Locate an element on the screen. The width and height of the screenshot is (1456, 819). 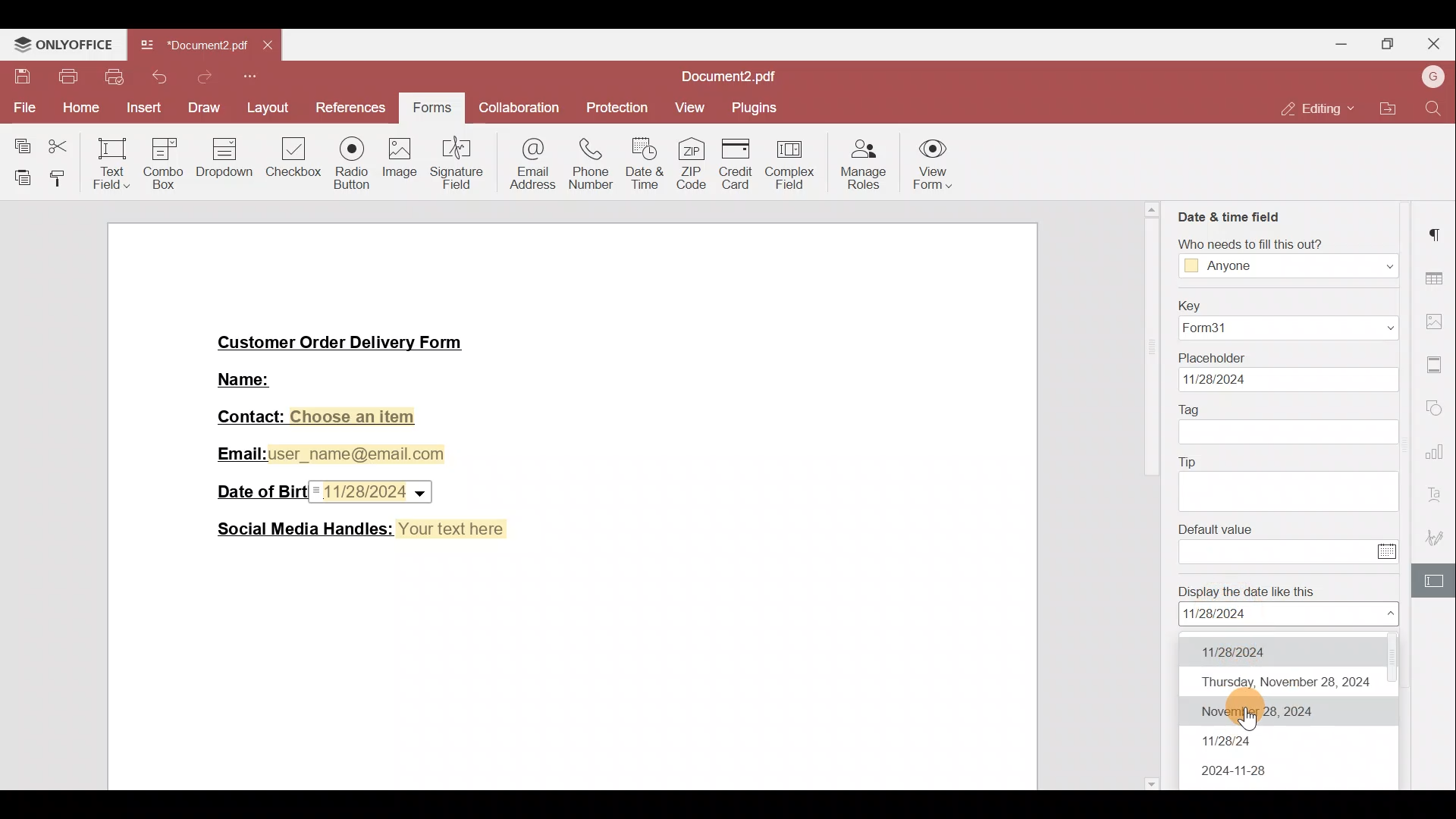
View form is located at coordinates (930, 168).